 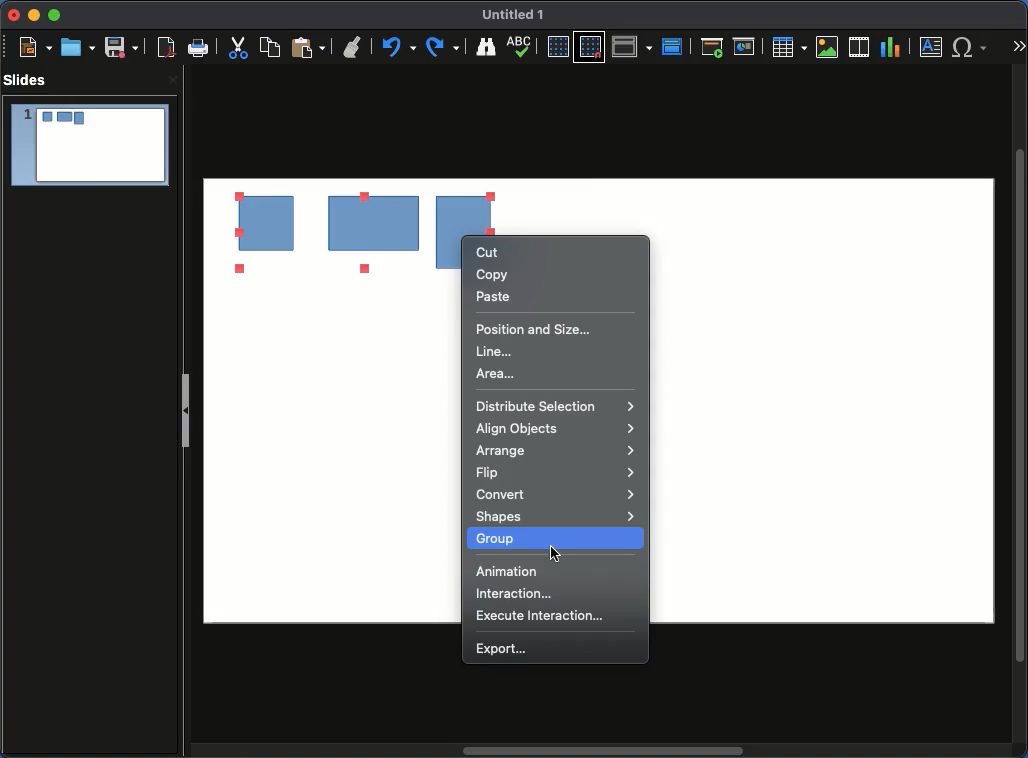 I want to click on Group, so click(x=506, y=538).